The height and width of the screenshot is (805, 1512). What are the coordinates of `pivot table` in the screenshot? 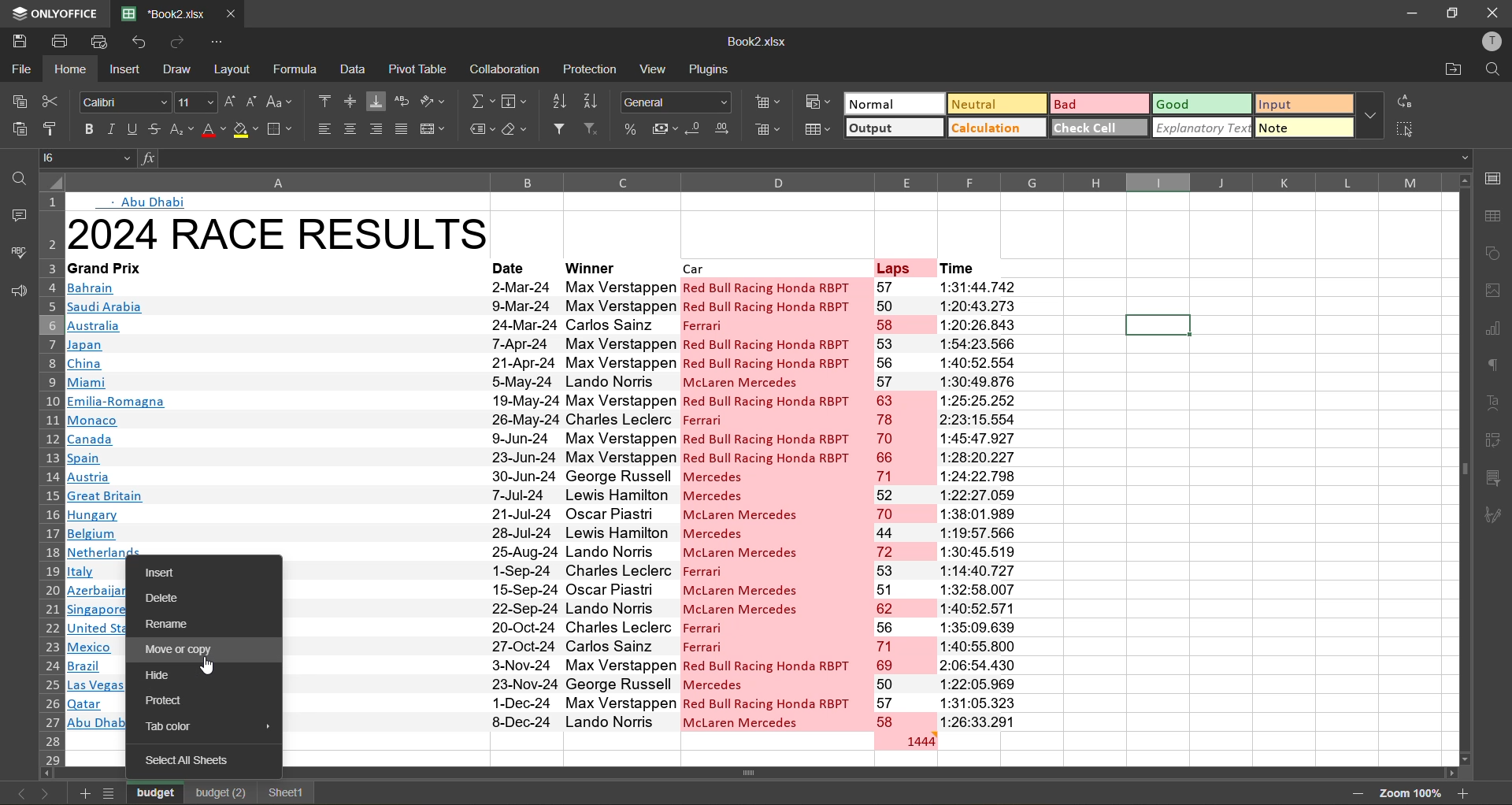 It's located at (420, 68).